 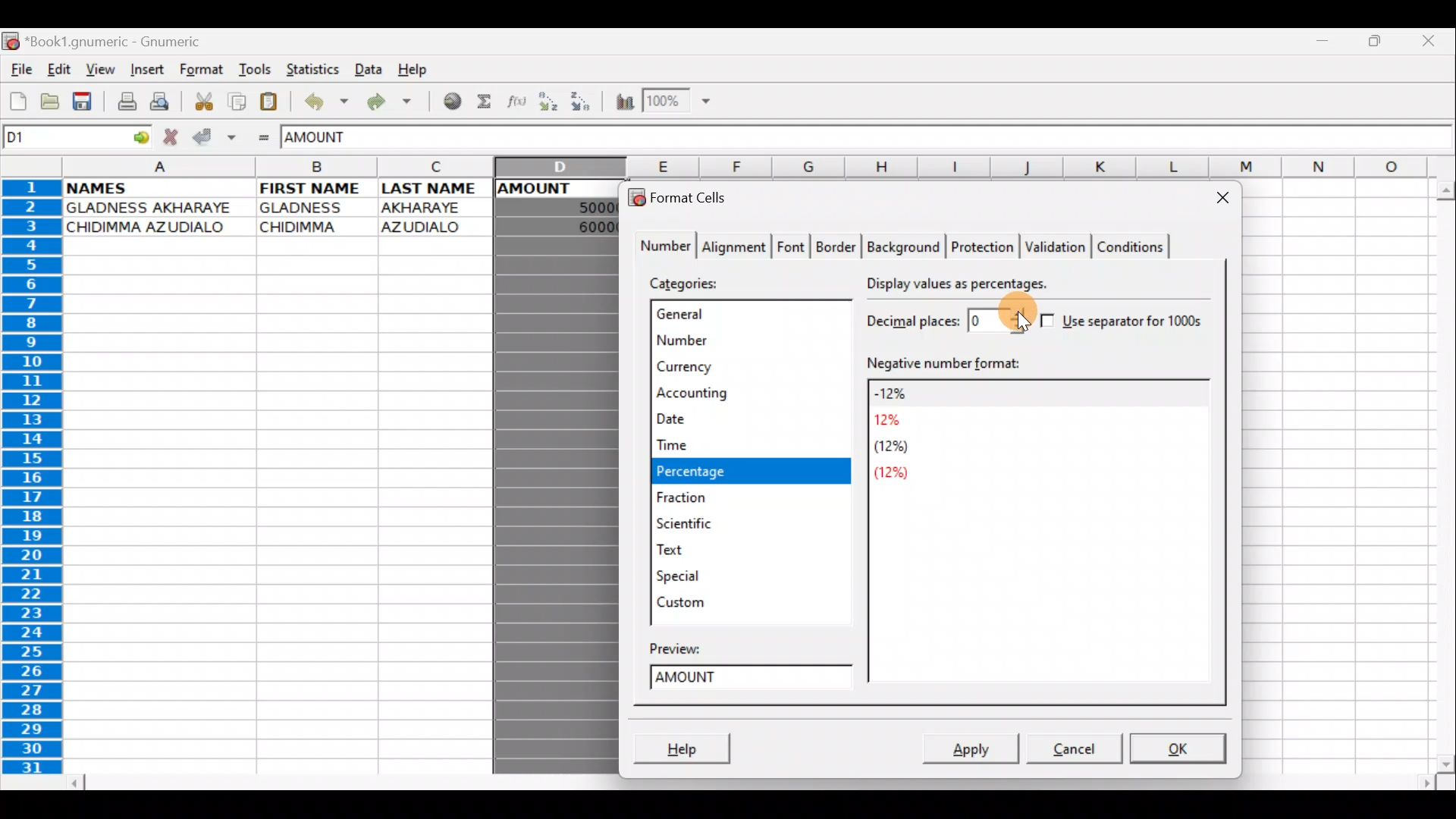 I want to click on Format cells, so click(x=686, y=196).